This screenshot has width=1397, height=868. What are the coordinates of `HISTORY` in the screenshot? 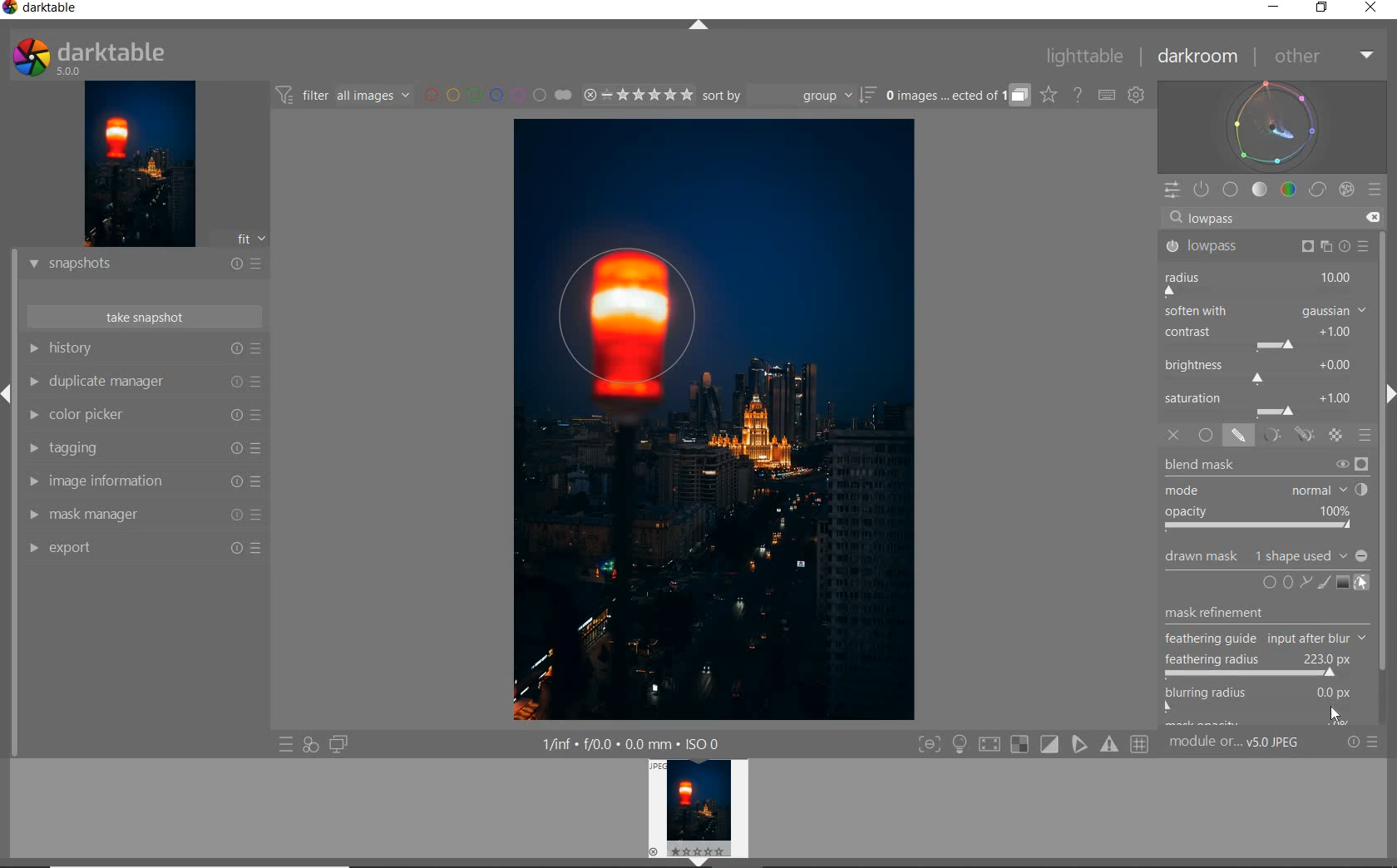 It's located at (143, 350).